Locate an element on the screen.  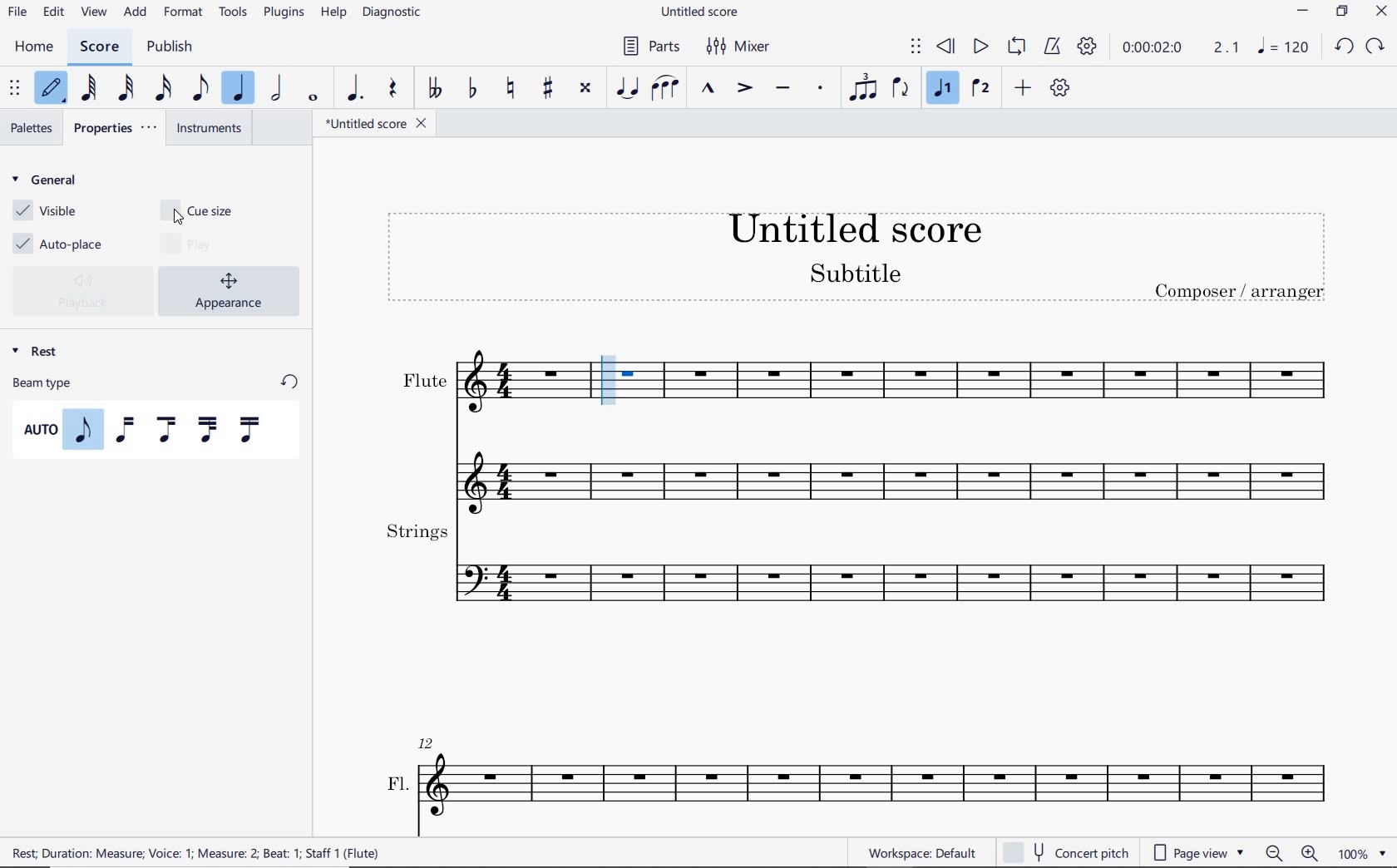
PLUGINS is located at coordinates (285, 13).